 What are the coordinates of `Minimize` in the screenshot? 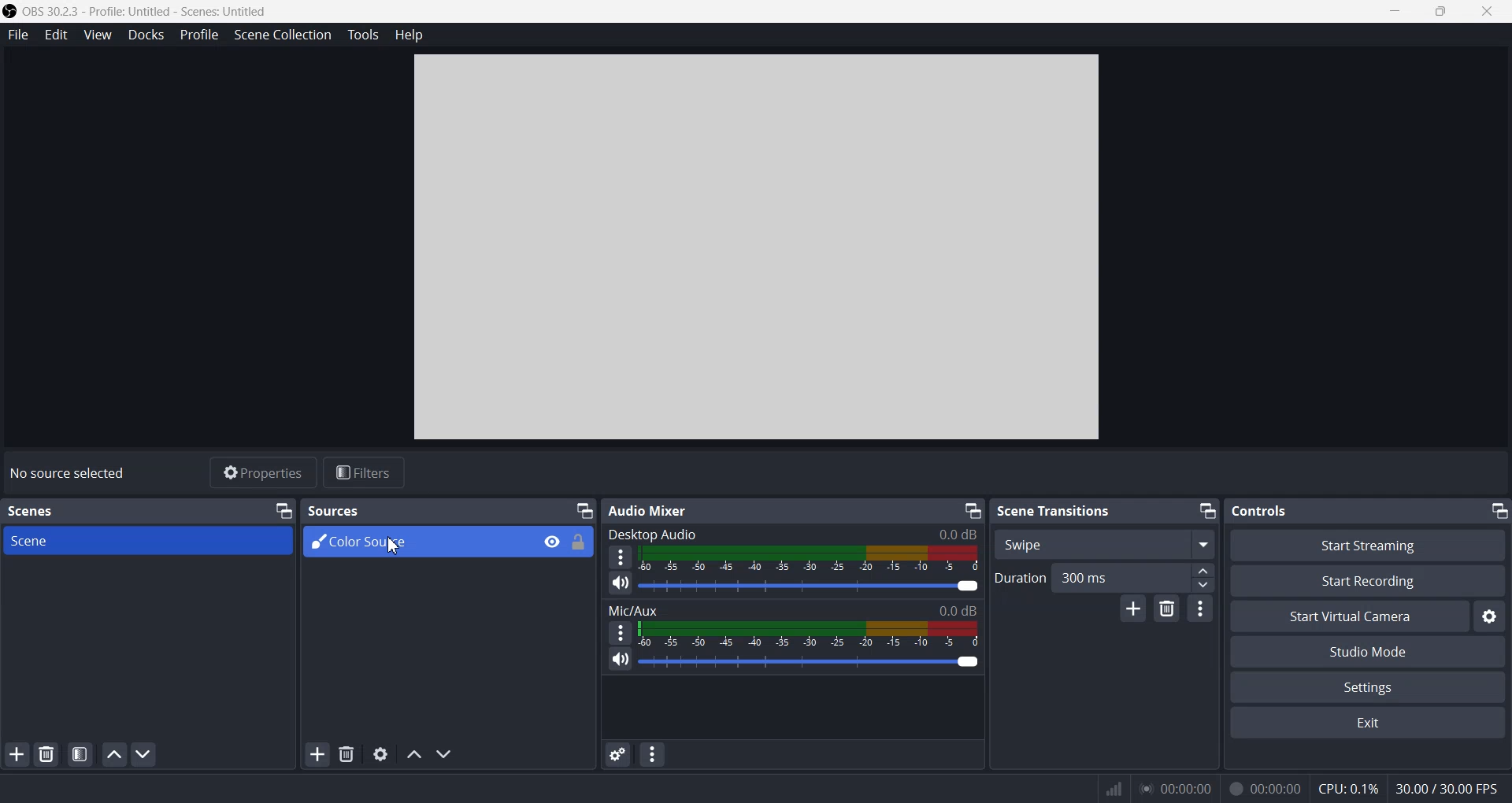 It's located at (1499, 512).